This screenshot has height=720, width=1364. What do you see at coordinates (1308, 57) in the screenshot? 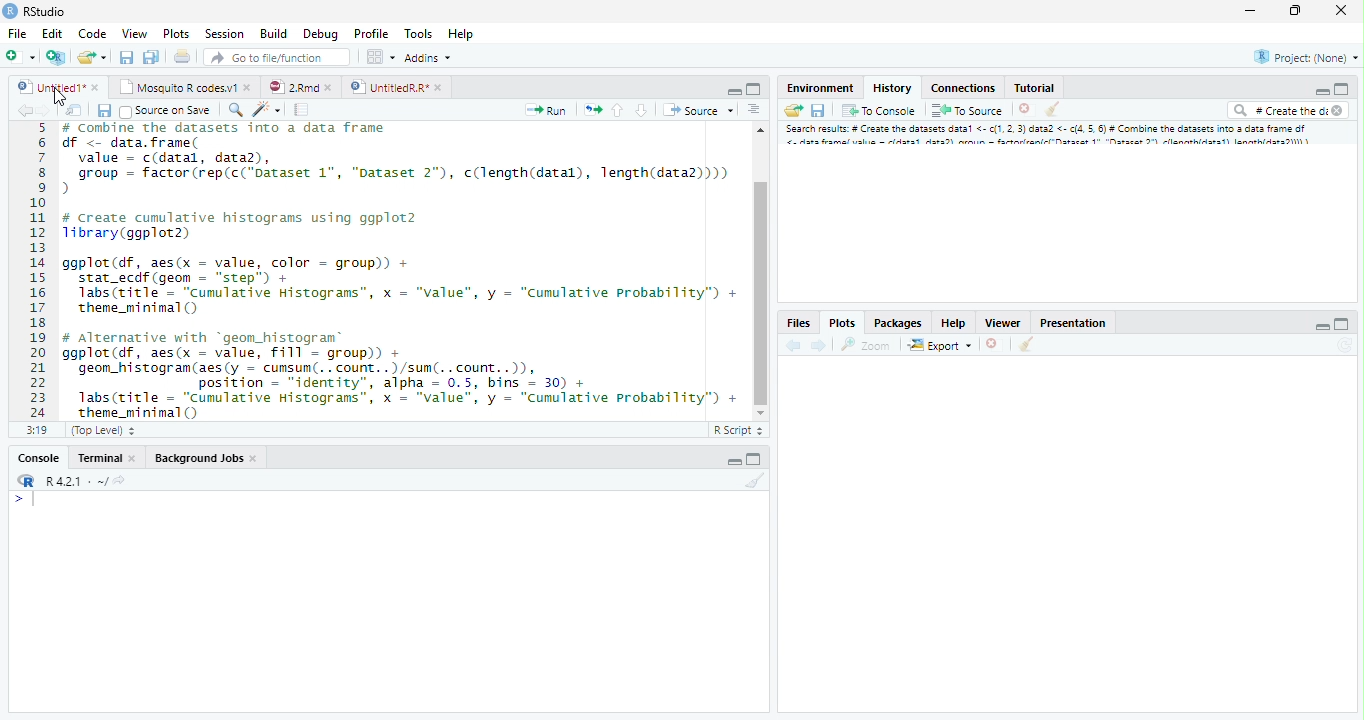
I see `Project (None)` at bounding box center [1308, 57].